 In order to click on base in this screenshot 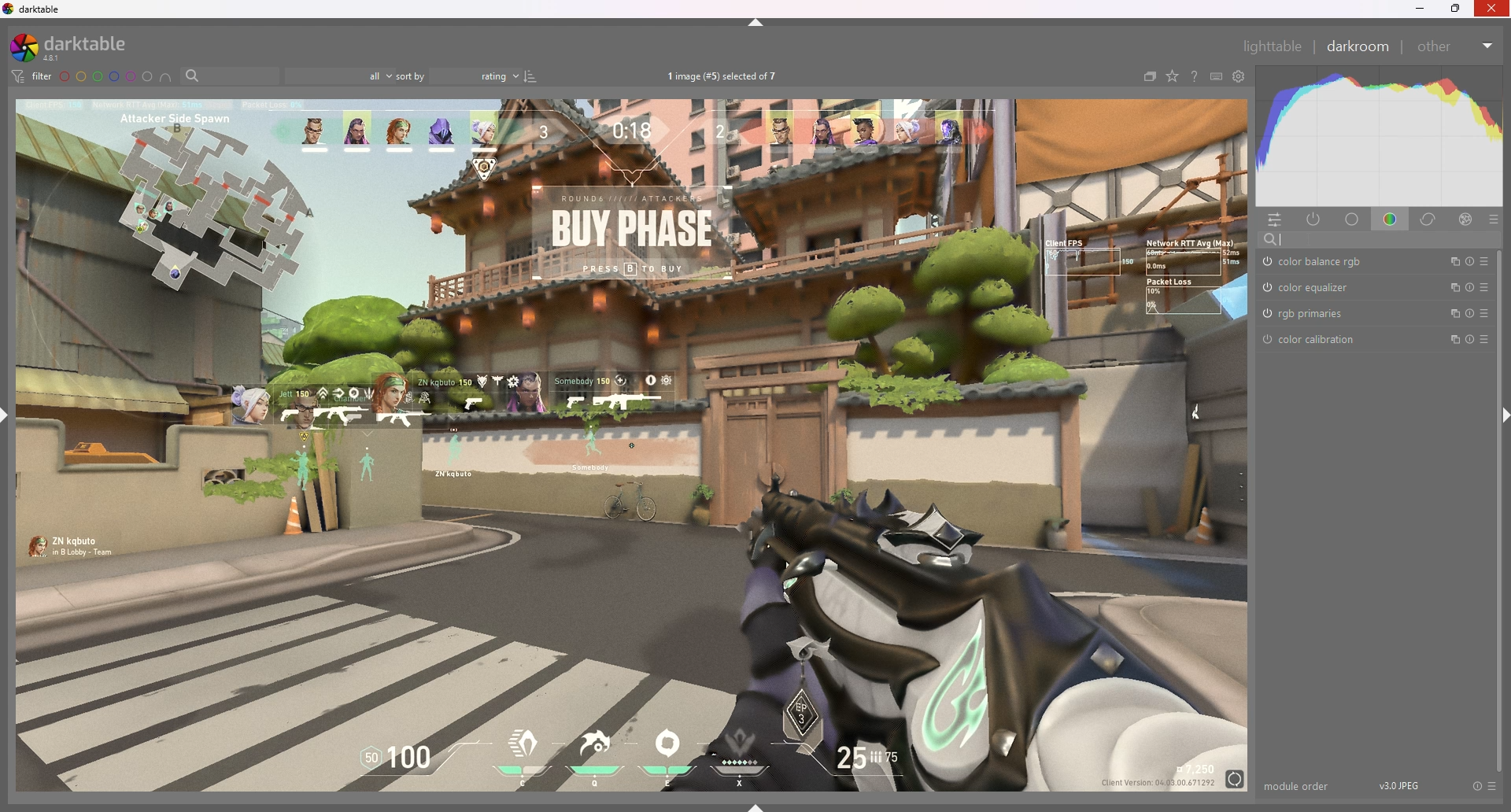, I will do `click(1353, 220)`.